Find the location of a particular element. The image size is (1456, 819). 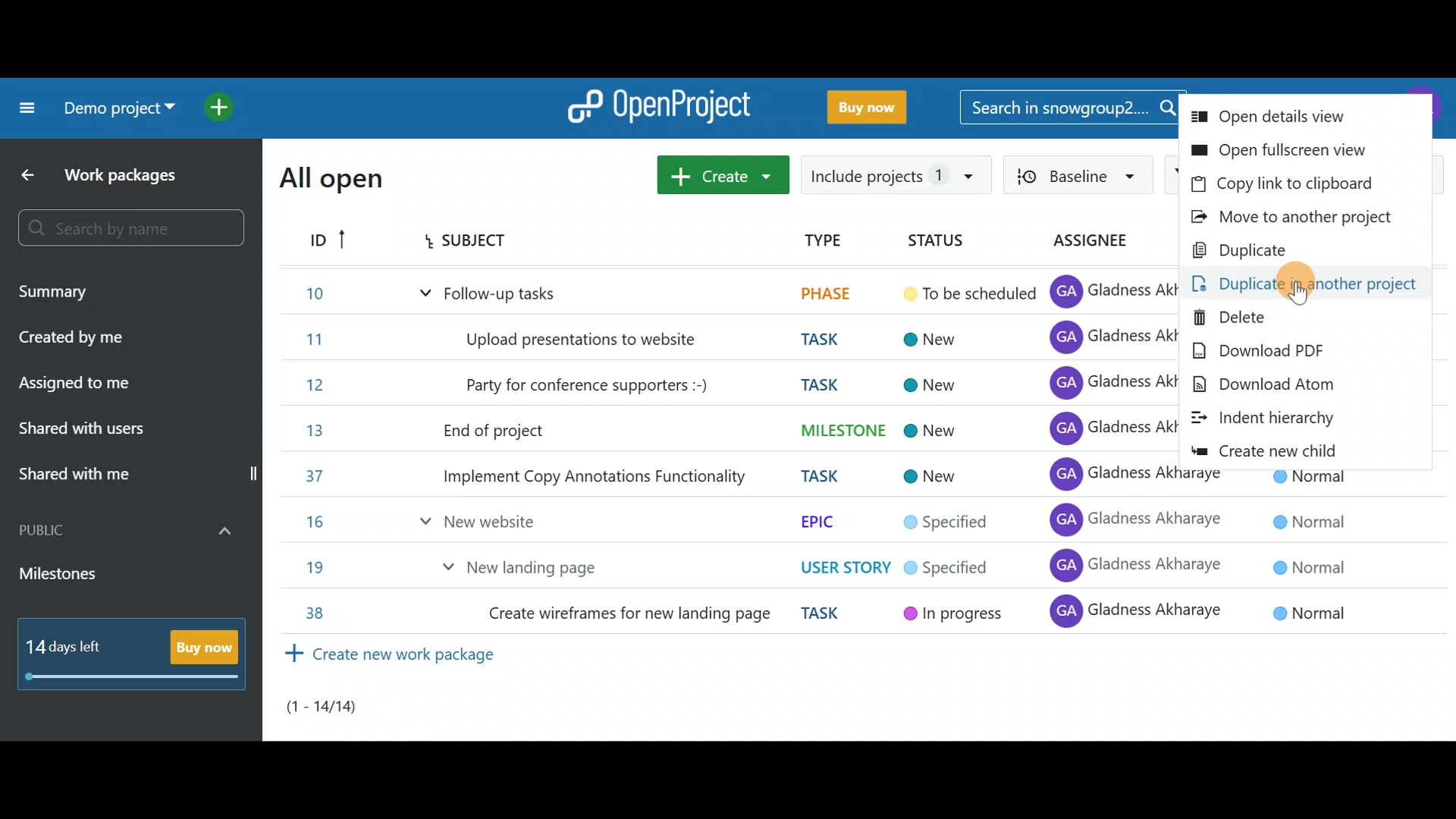

Implement Copy Annotations Functionality is located at coordinates (595, 475).